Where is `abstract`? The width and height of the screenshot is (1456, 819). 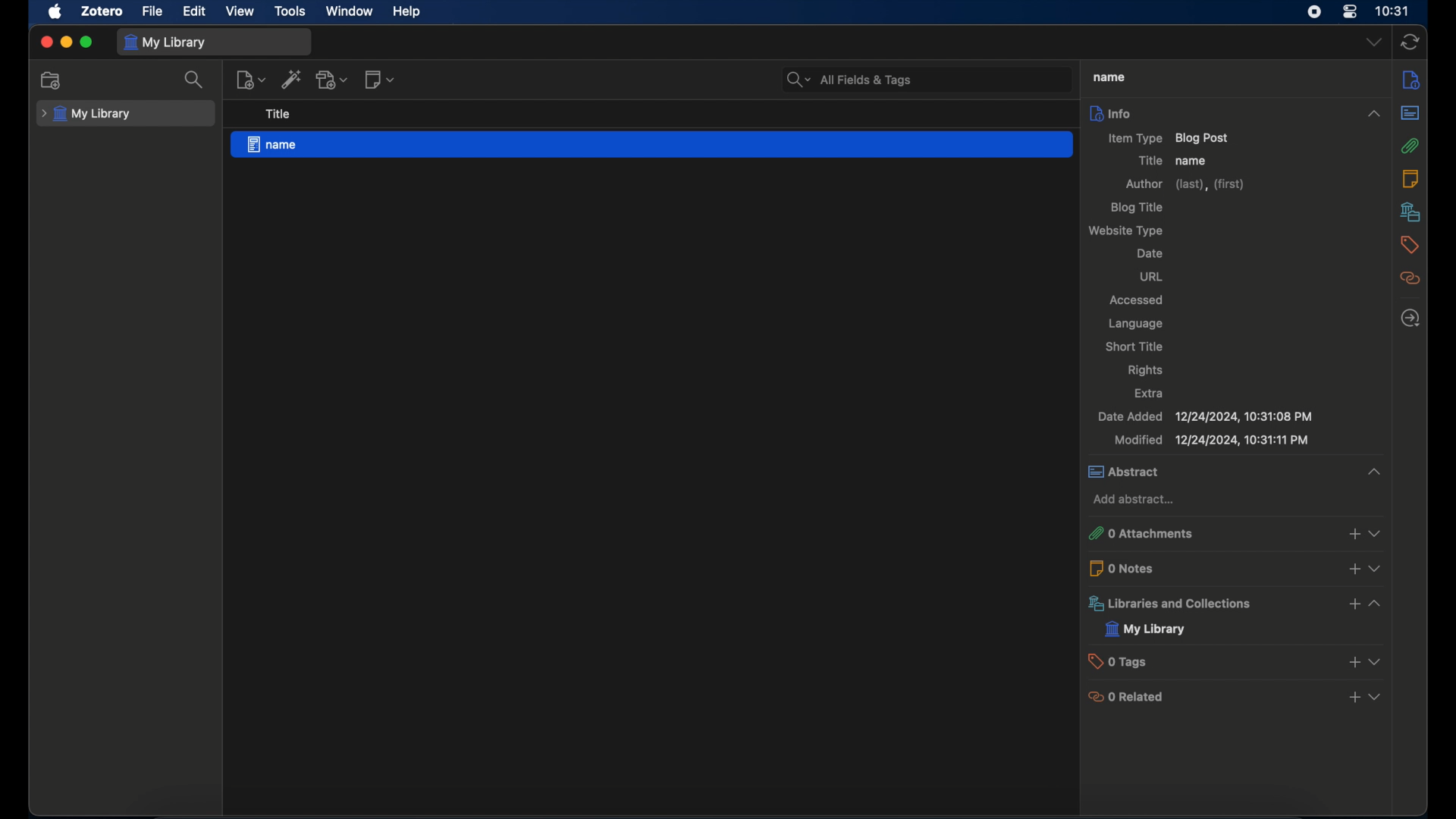
abstract is located at coordinates (1410, 113).